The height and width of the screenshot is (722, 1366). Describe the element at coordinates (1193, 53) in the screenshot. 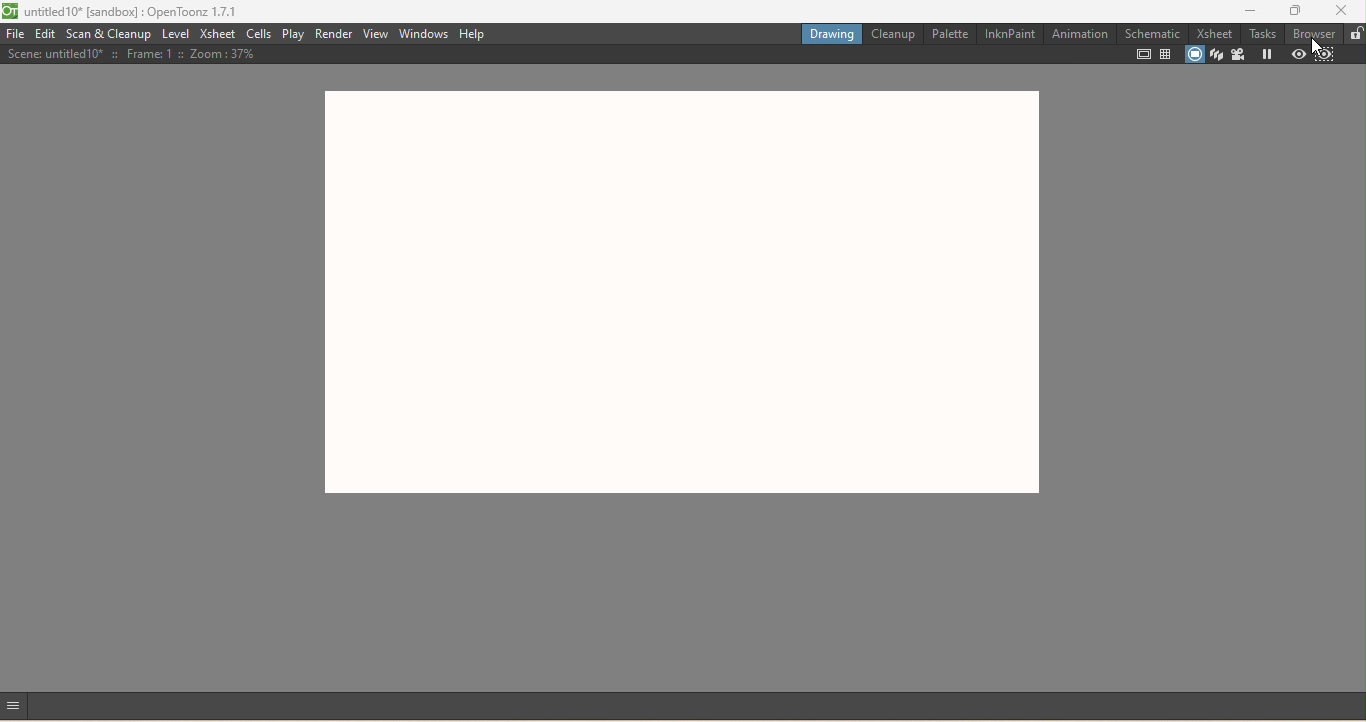

I see `Camera stand view` at that location.